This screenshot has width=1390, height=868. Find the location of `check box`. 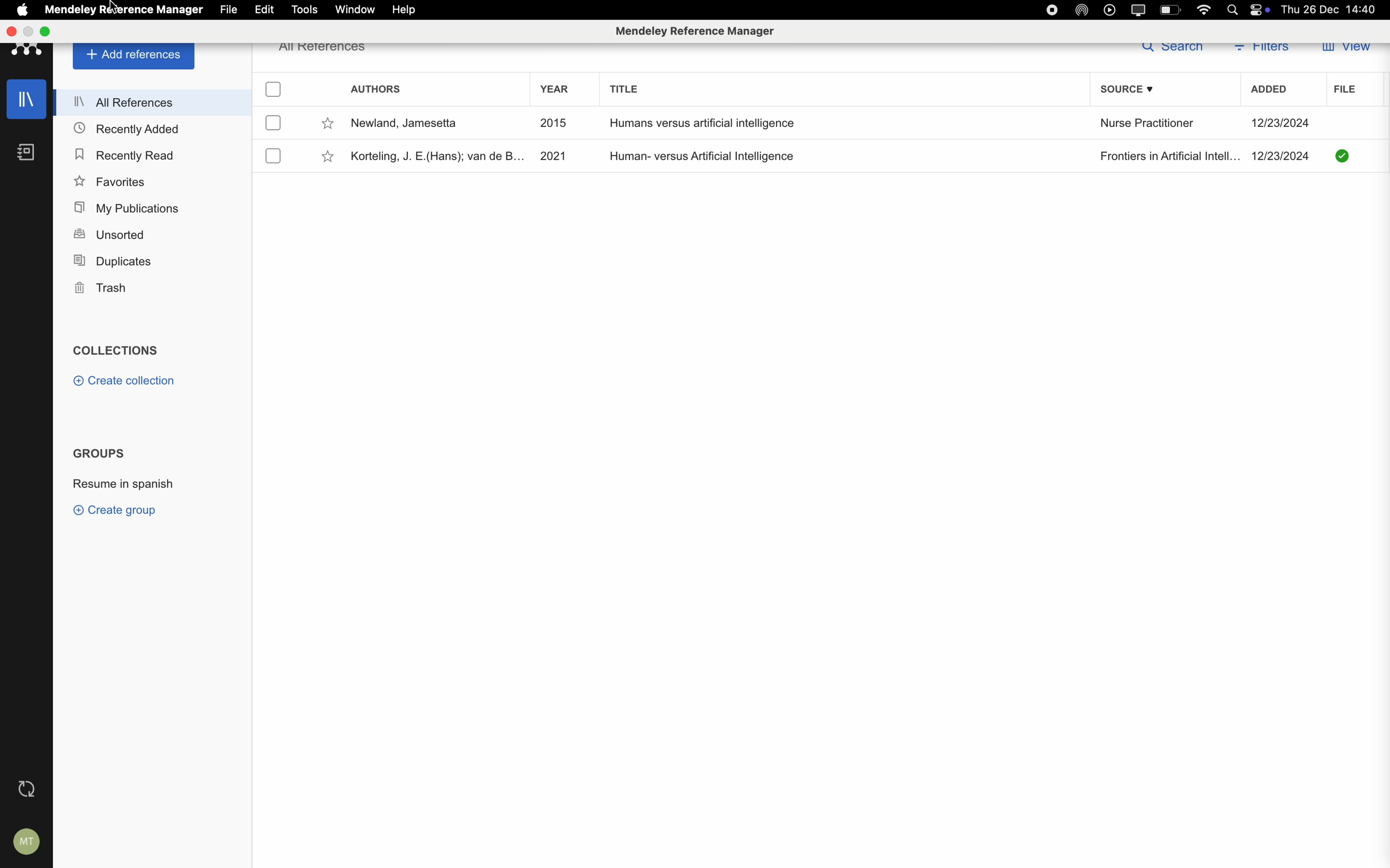

check box is located at coordinates (273, 123).